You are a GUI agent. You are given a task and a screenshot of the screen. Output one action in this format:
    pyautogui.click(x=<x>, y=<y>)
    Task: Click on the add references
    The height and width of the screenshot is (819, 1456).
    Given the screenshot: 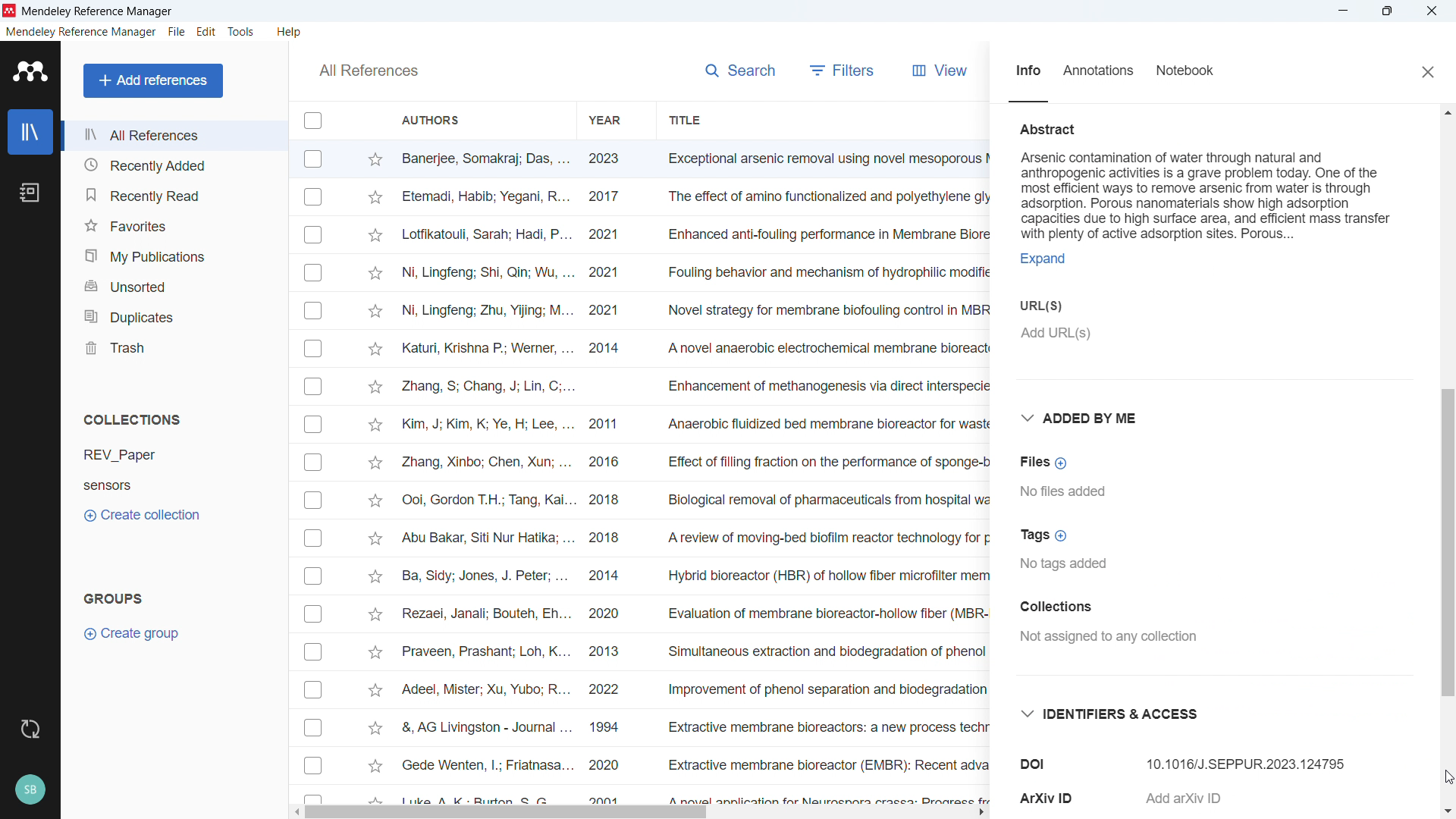 What is the action you would take?
    pyautogui.click(x=154, y=80)
    